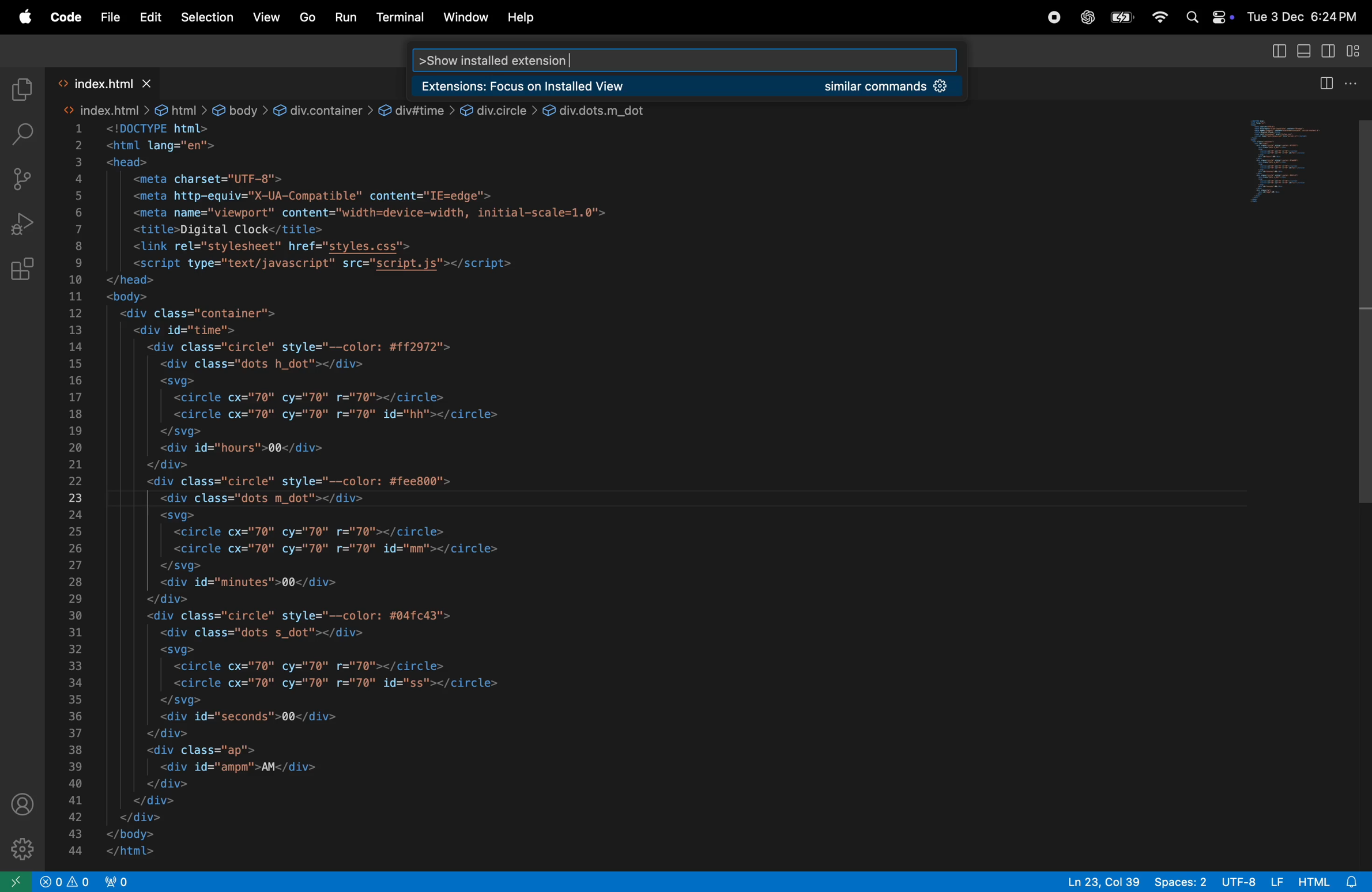  I want to click on new port, so click(123, 880).